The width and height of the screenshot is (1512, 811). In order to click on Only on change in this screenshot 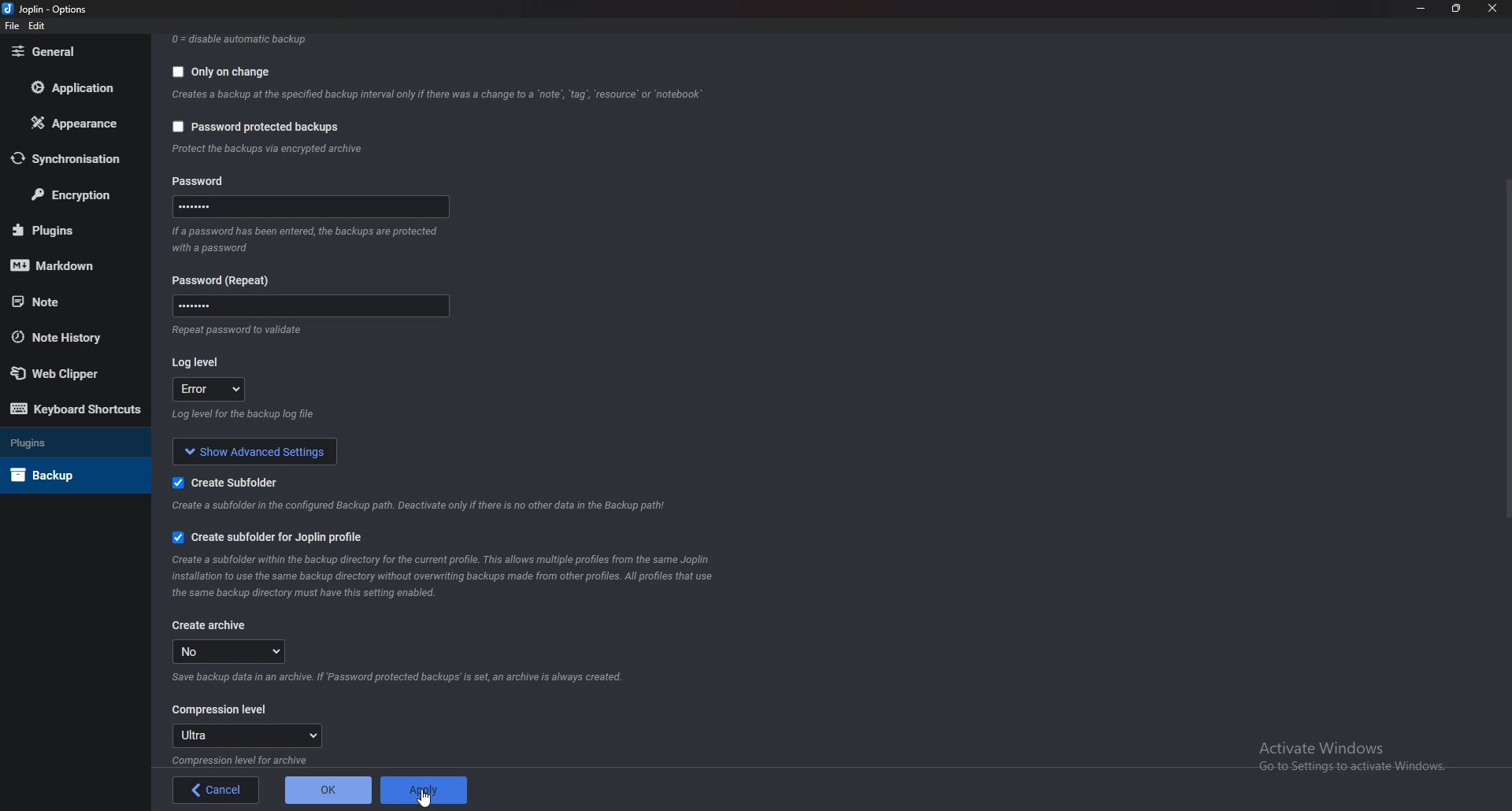, I will do `click(226, 70)`.